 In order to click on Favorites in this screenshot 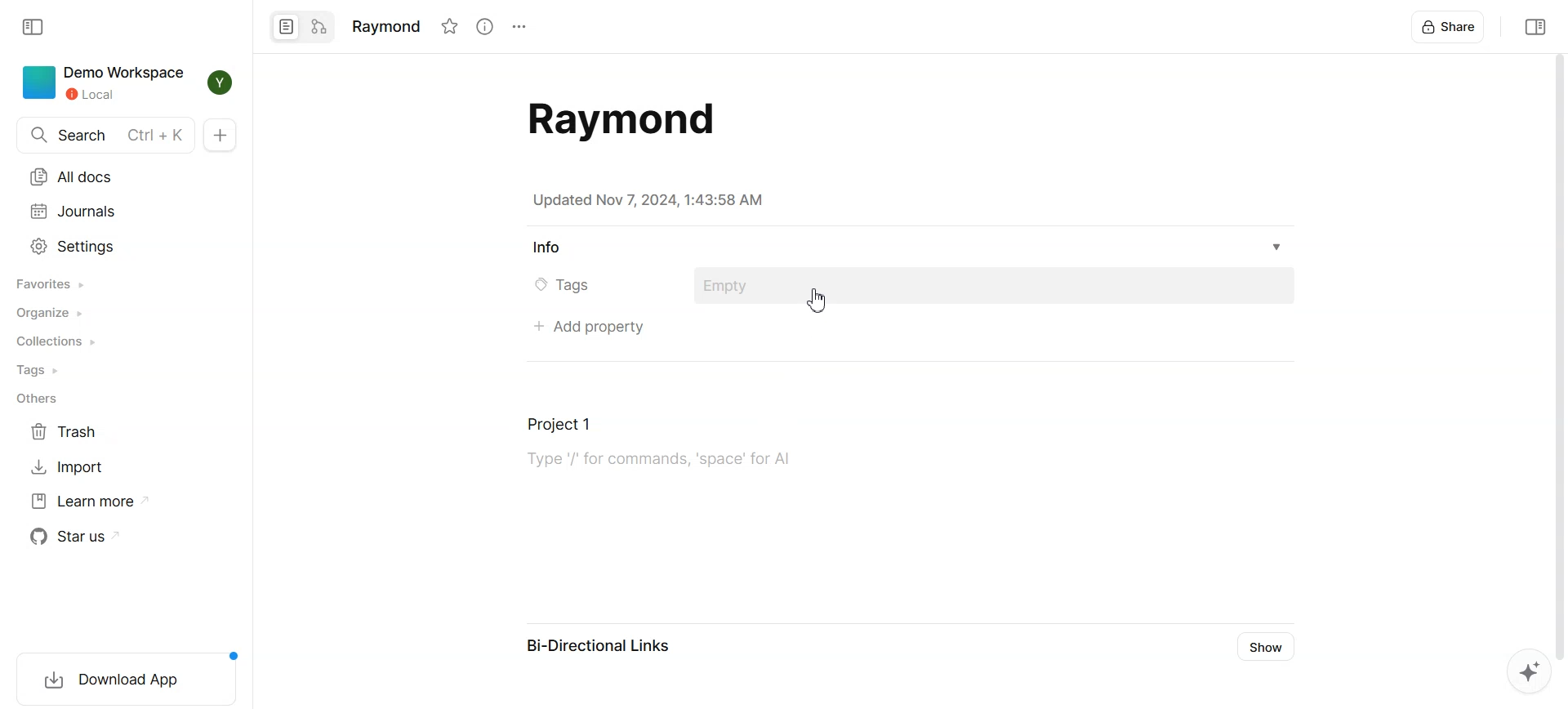, I will do `click(52, 283)`.